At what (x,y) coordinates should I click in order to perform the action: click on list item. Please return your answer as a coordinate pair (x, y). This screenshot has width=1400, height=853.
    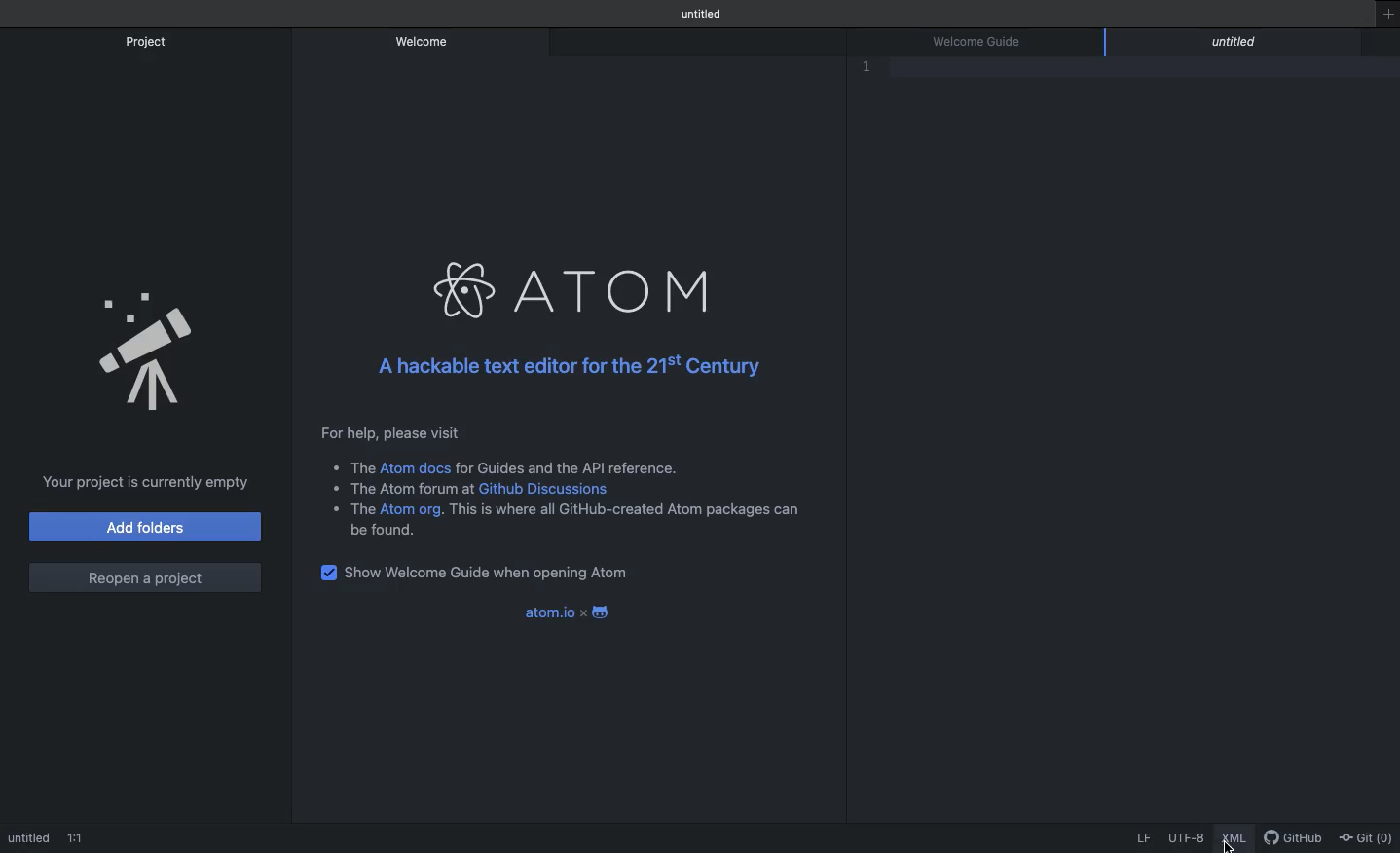
    Looking at the image, I should click on (346, 464).